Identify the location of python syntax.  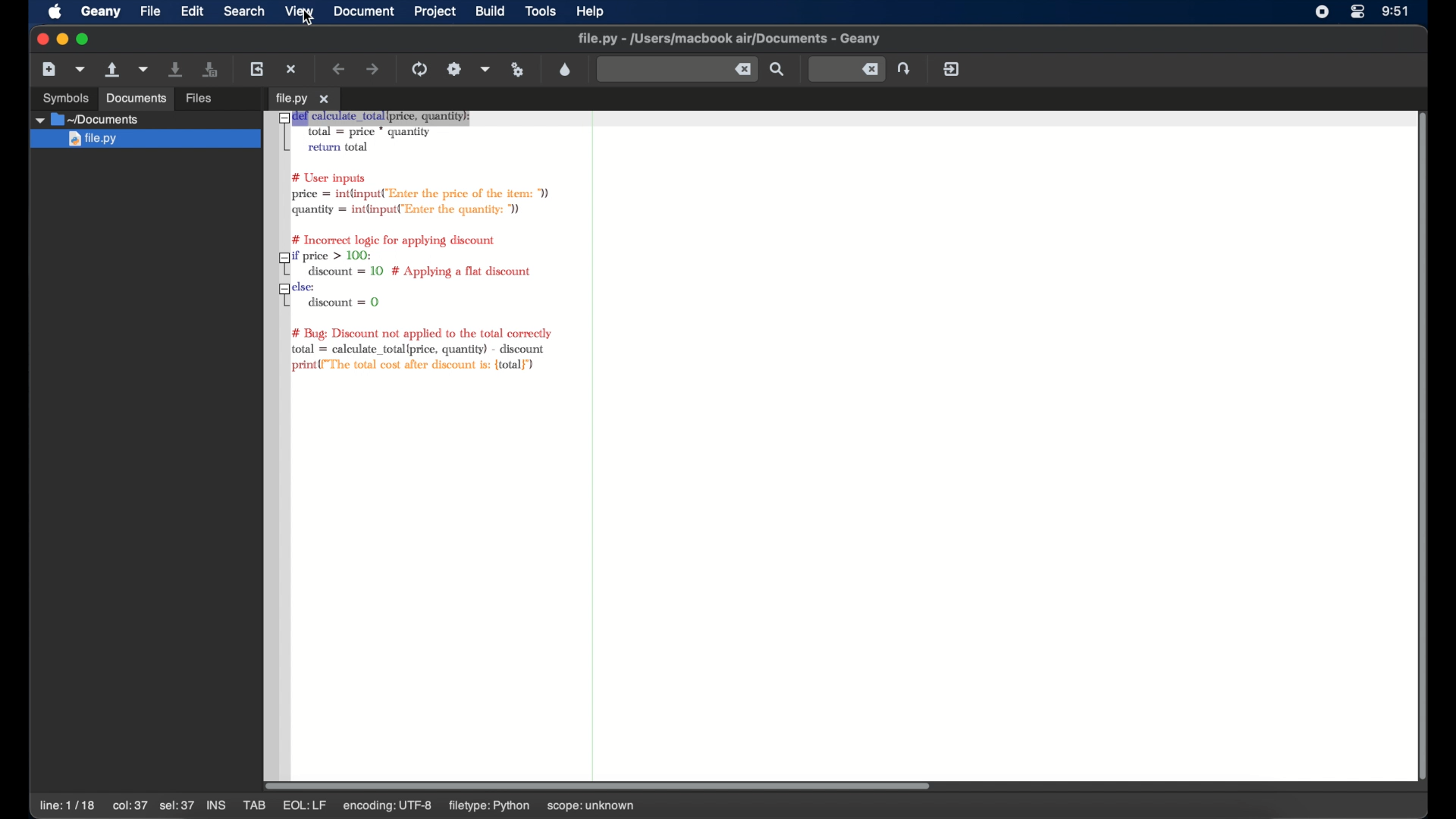
(414, 245).